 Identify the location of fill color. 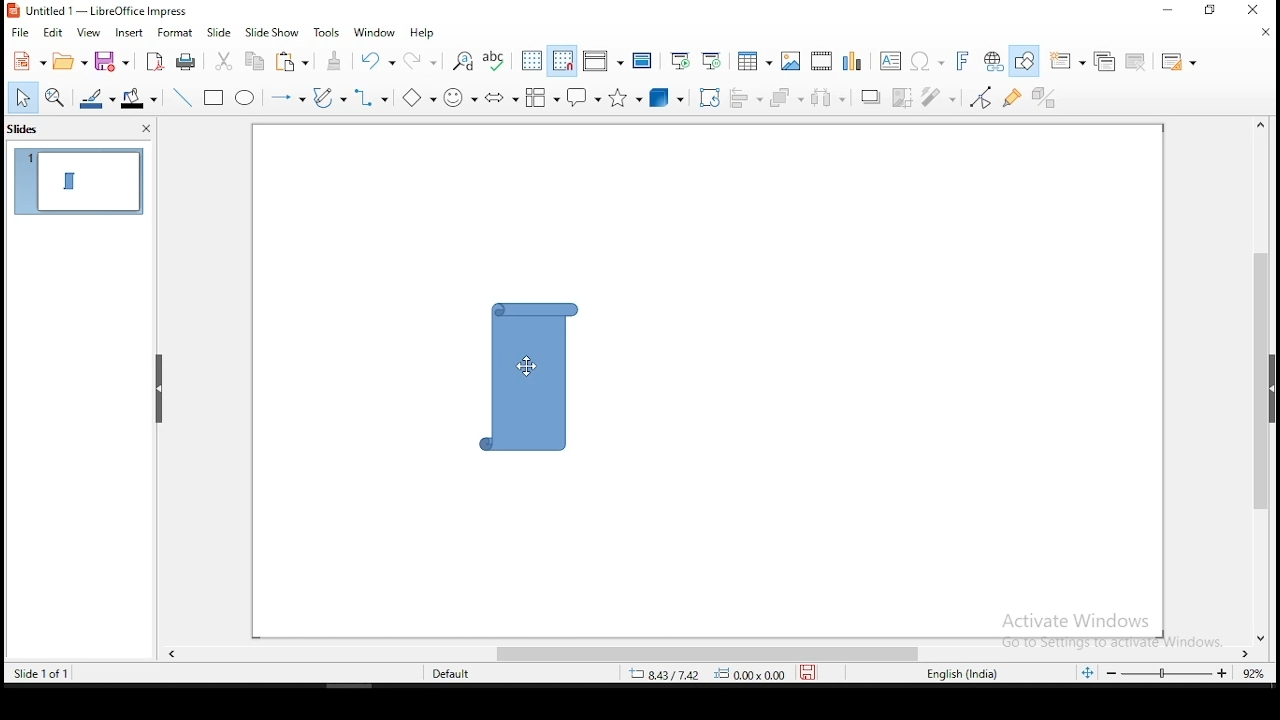
(138, 98).